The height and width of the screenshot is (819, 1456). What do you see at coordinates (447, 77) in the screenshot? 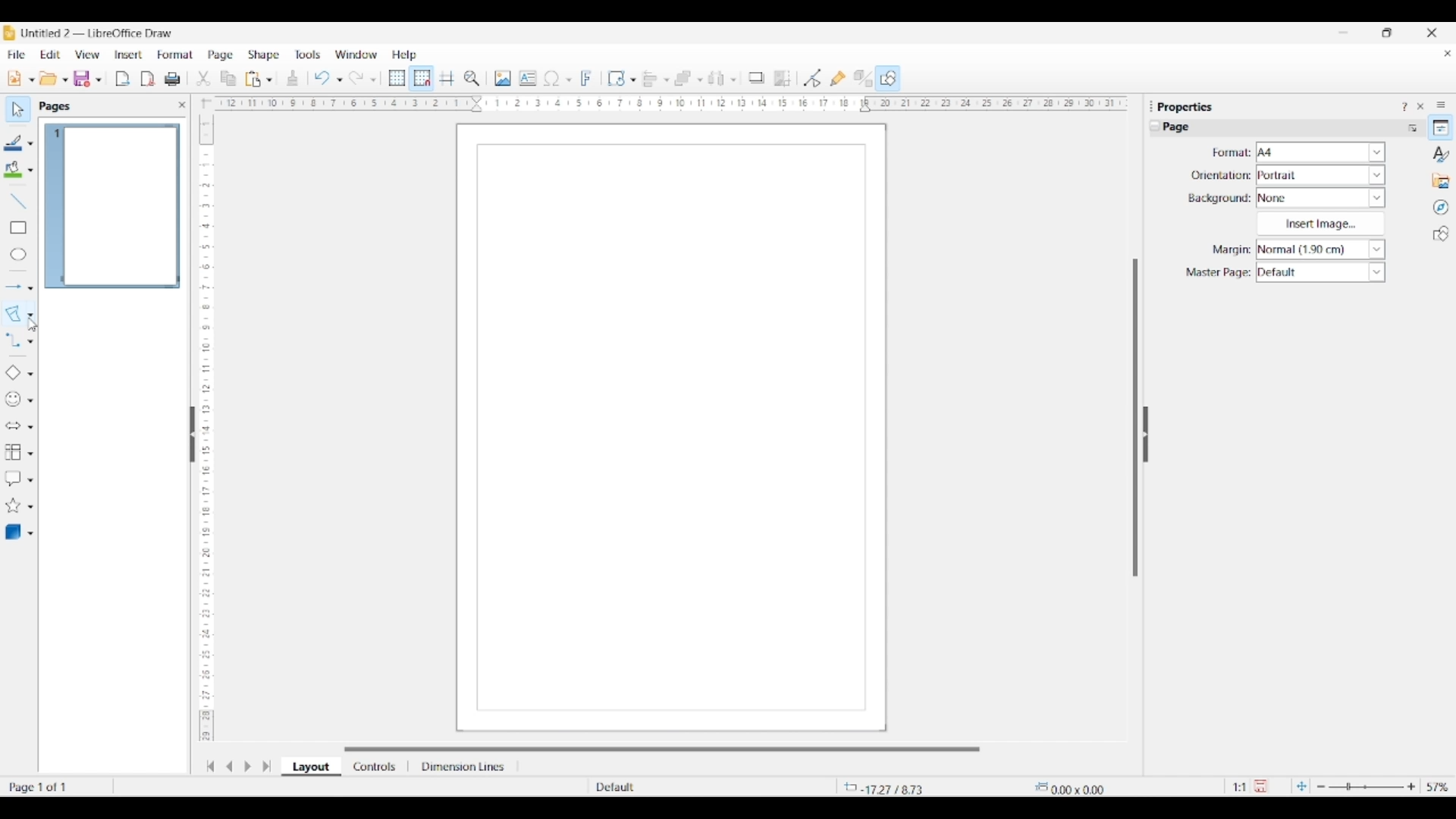
I see `Helplines while moving` at bounding box center [447, 77].